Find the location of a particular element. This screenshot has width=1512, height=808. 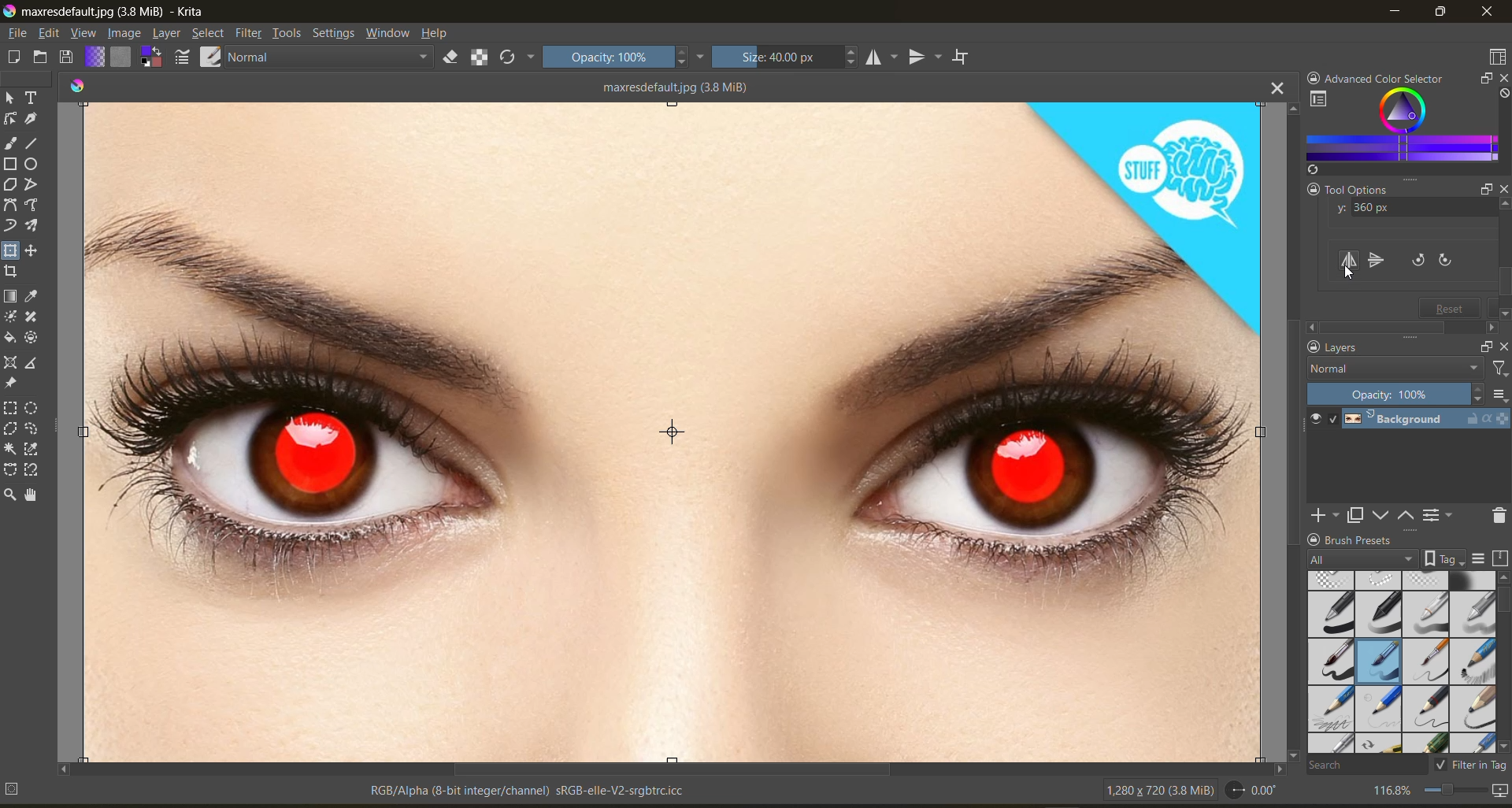

horizontal mirror tool is located at coordinates (883, 57).